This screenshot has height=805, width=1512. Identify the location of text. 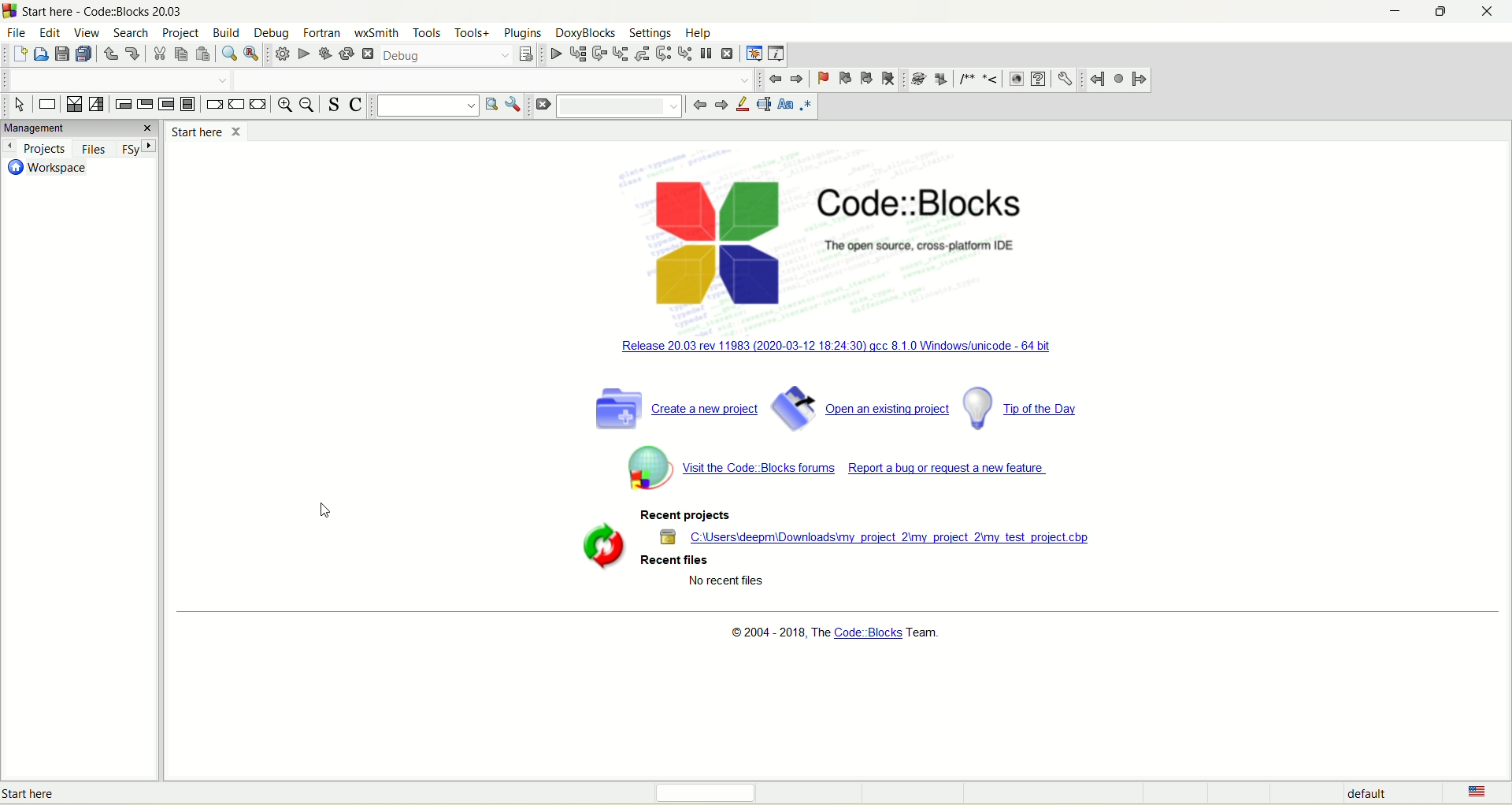
(726, 583).